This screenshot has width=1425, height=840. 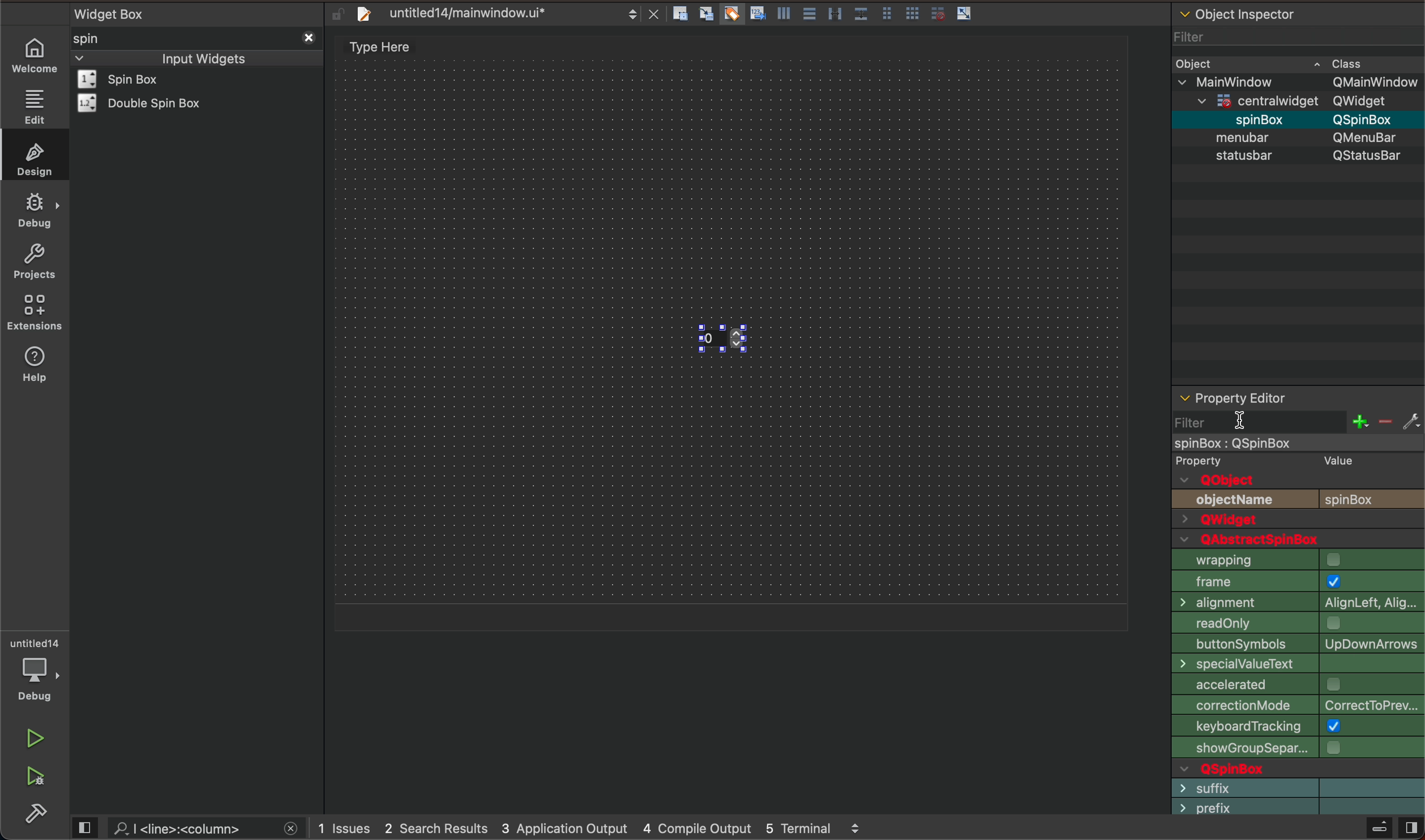 I want to click on text, so click(x=1256, y=766).